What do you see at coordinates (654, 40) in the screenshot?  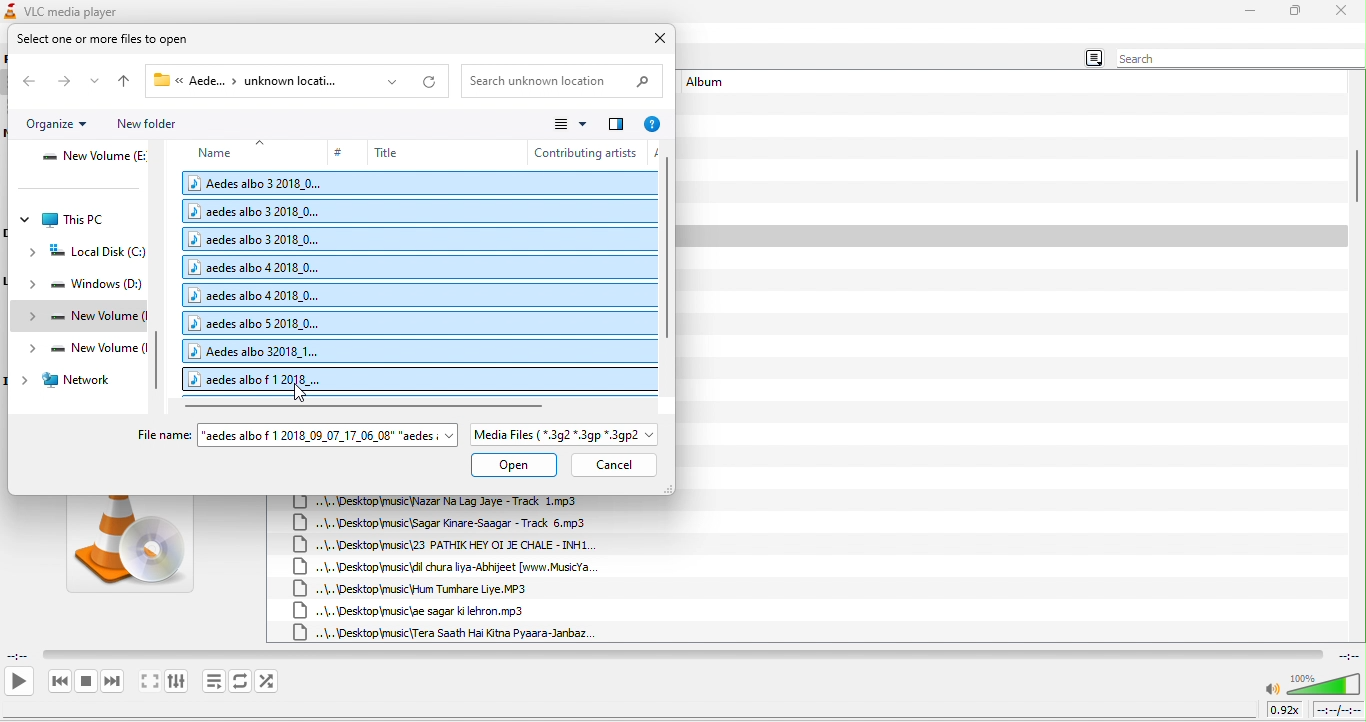 I see `close` at bounding box center [654, 40].